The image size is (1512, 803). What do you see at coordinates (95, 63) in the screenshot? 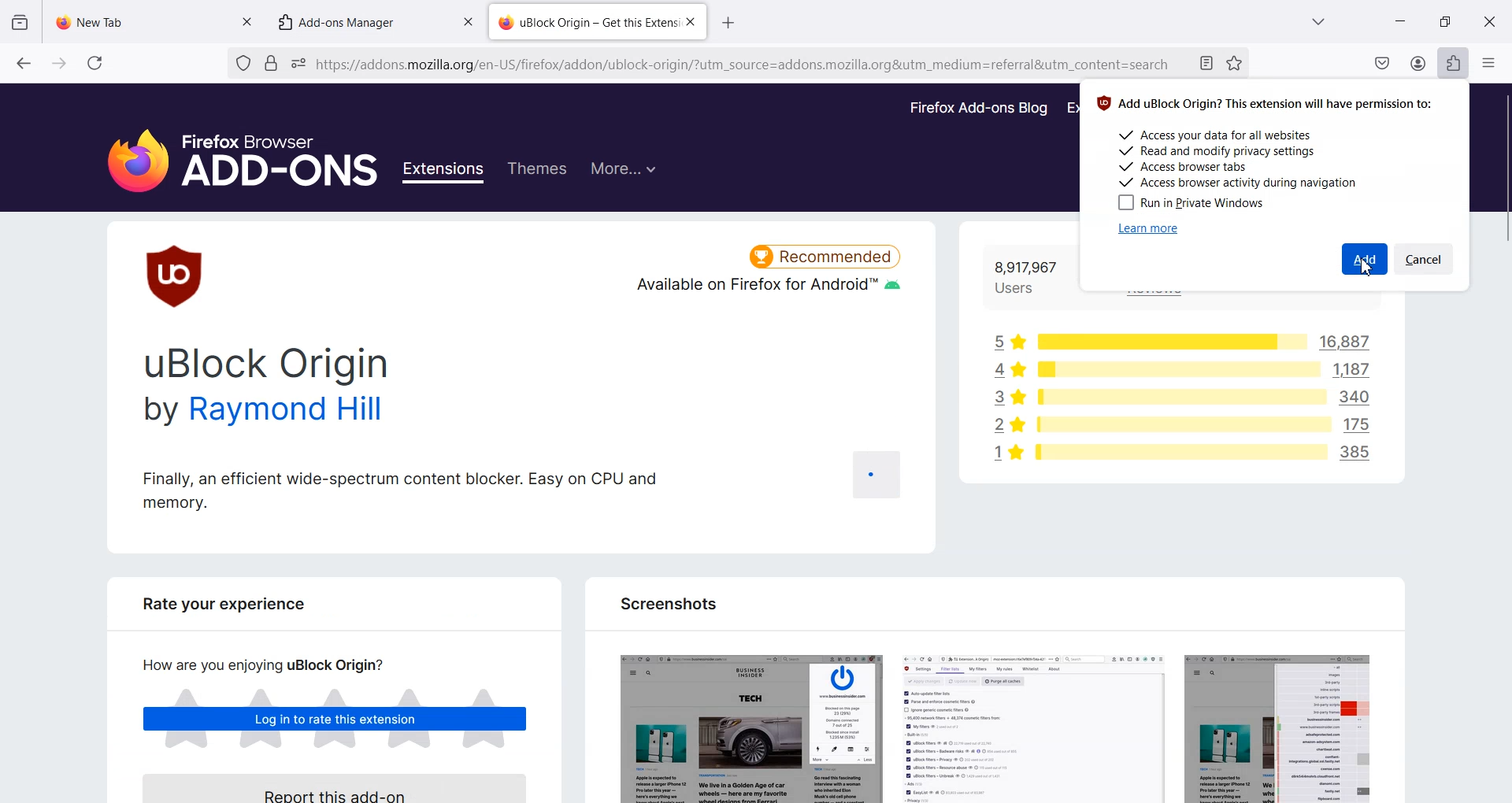
I see `Refresh` at bounding box center [95, 63].